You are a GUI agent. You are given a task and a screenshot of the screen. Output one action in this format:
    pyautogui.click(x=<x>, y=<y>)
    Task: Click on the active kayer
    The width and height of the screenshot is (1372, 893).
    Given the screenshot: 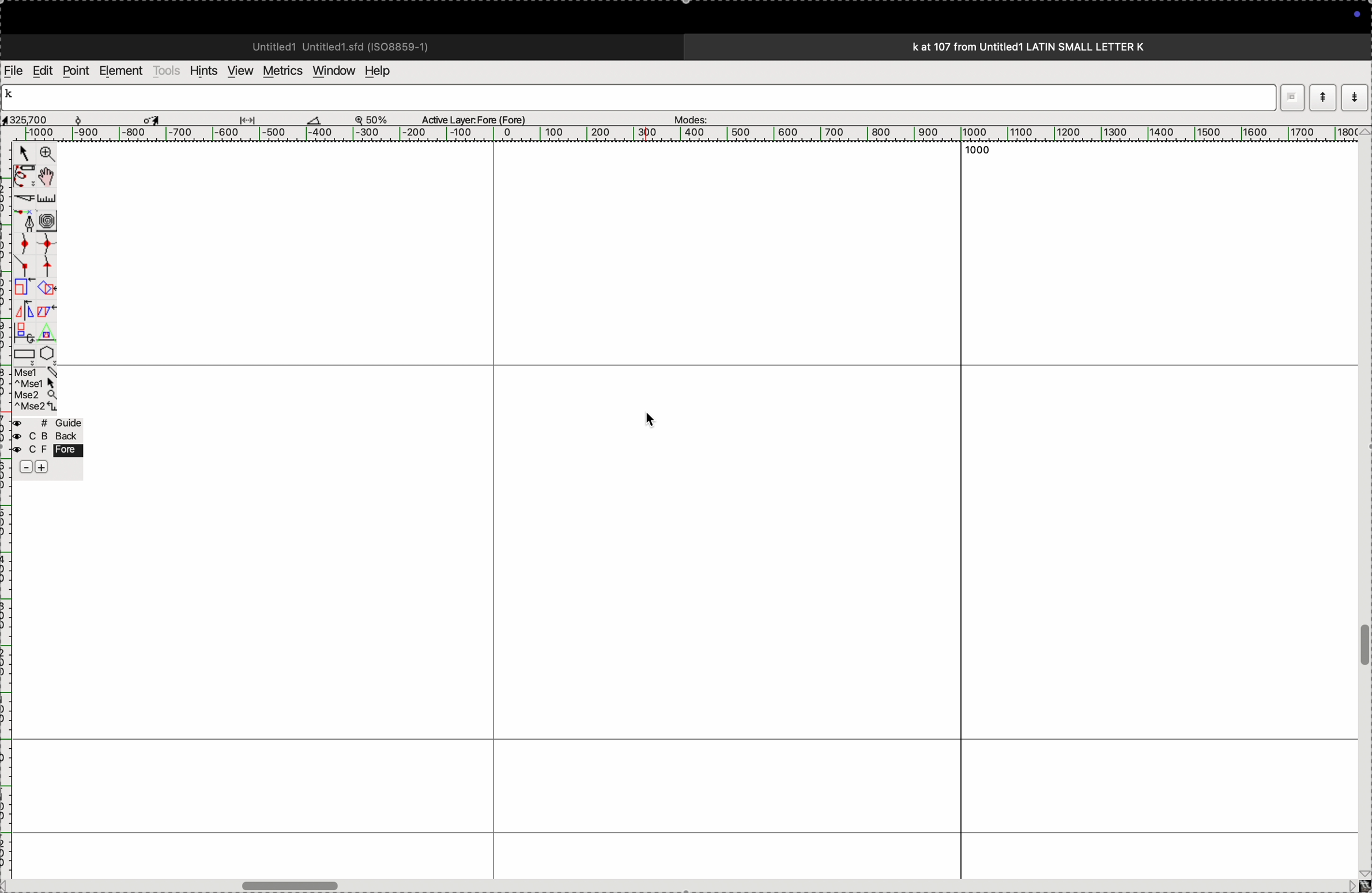 What is the action you would take?
    pyautogui.click(x=481, y=119)
    